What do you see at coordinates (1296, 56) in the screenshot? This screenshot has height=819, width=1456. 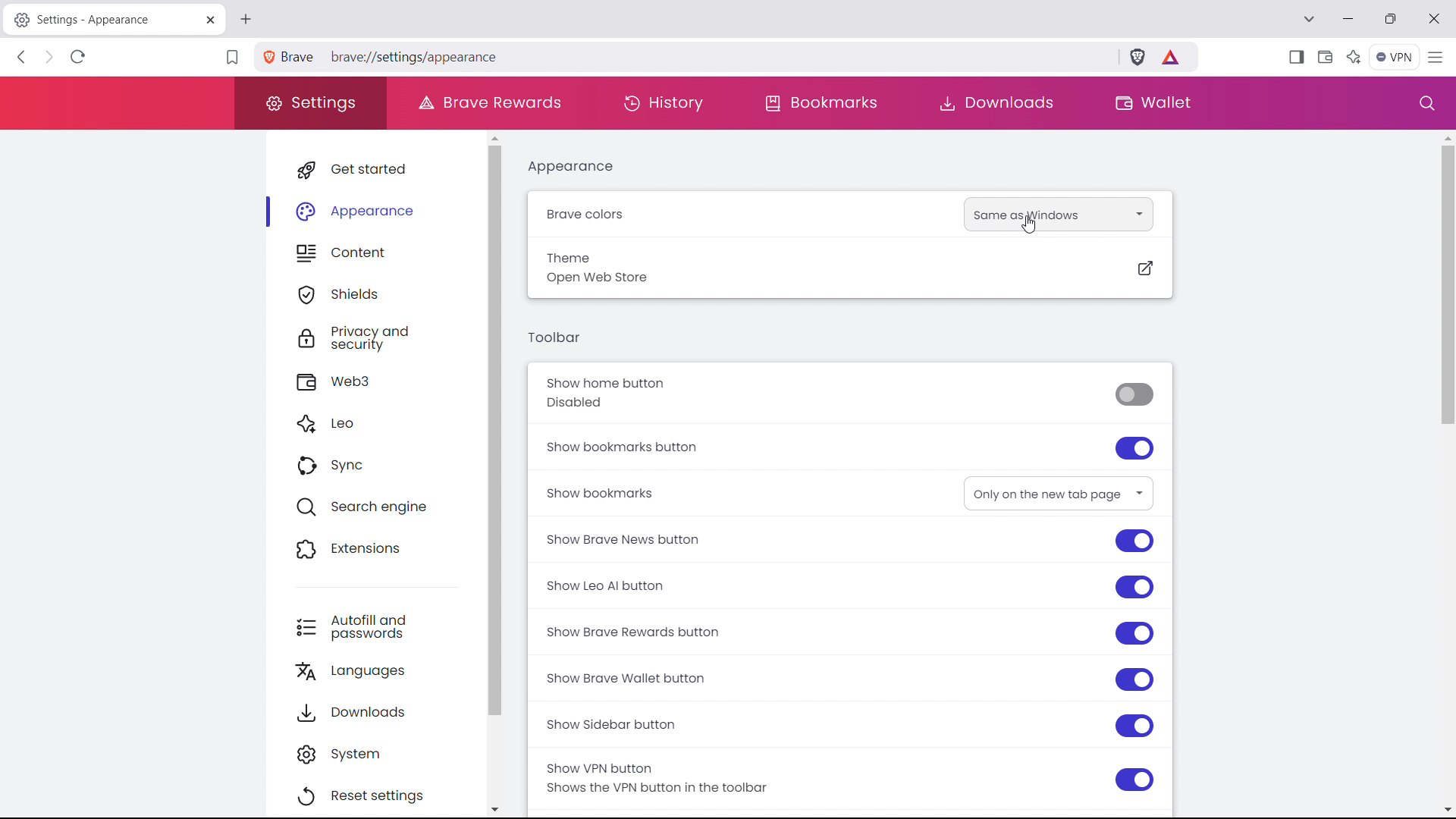 I see `show sidebar` at bounding box center [1296, 56].